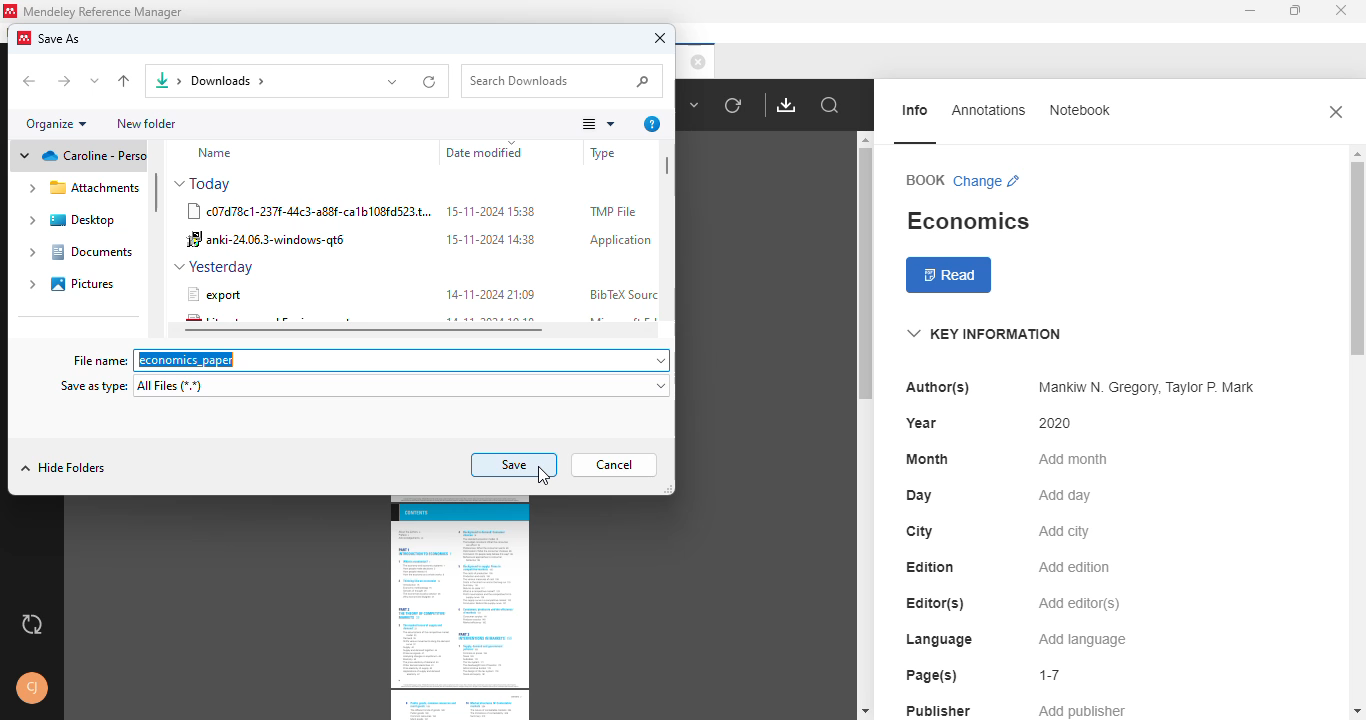 This screenshot has width=1366, height=720. Describe the element at coordinates (123, 81) in the screenshot. I see `up to "desktop"` at that location.